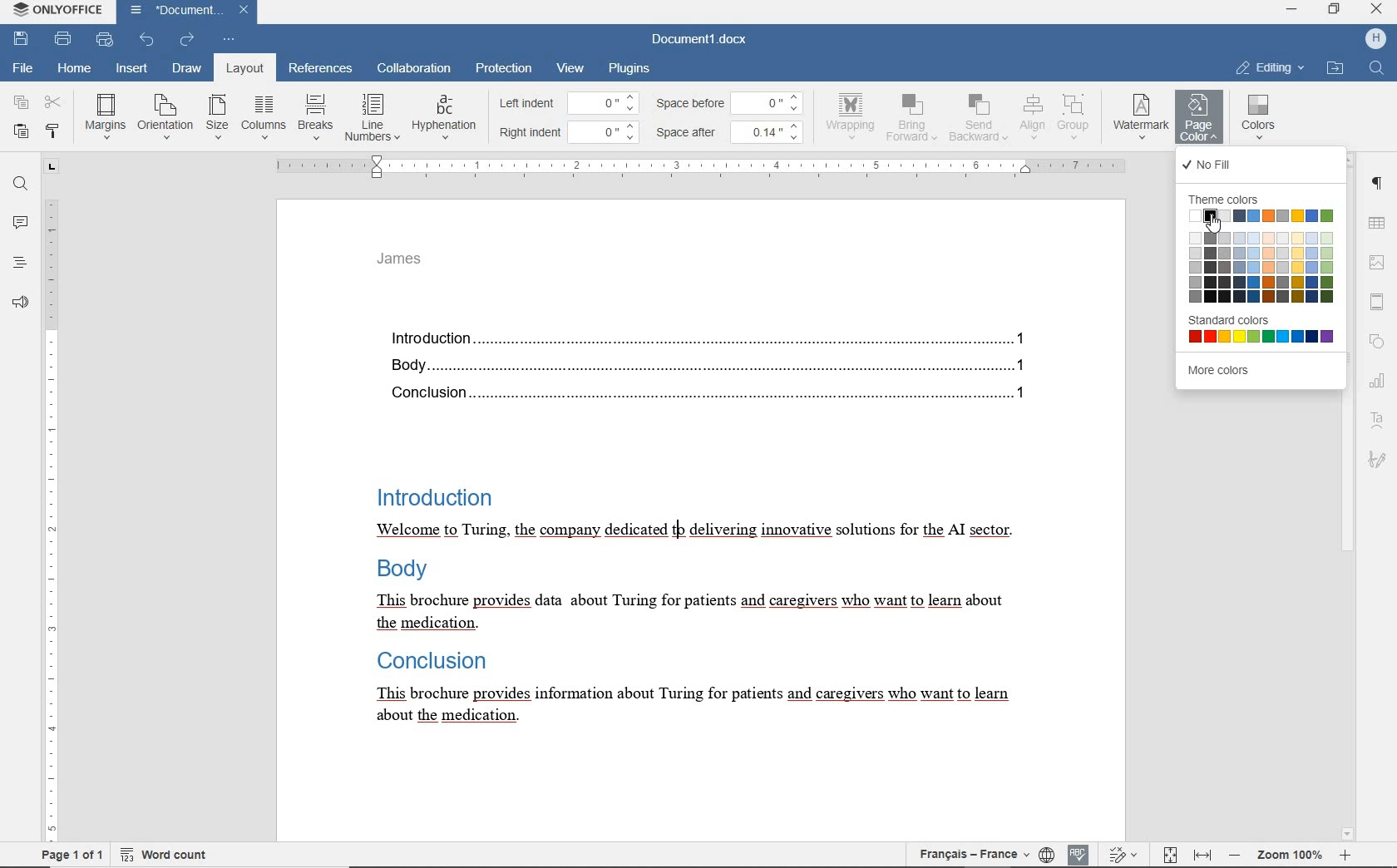 This screenshot has height=868, width=1397. What do you see at coordinates (24, 69) in the screenshot?
I see `file` at bounding box center [24, 69].